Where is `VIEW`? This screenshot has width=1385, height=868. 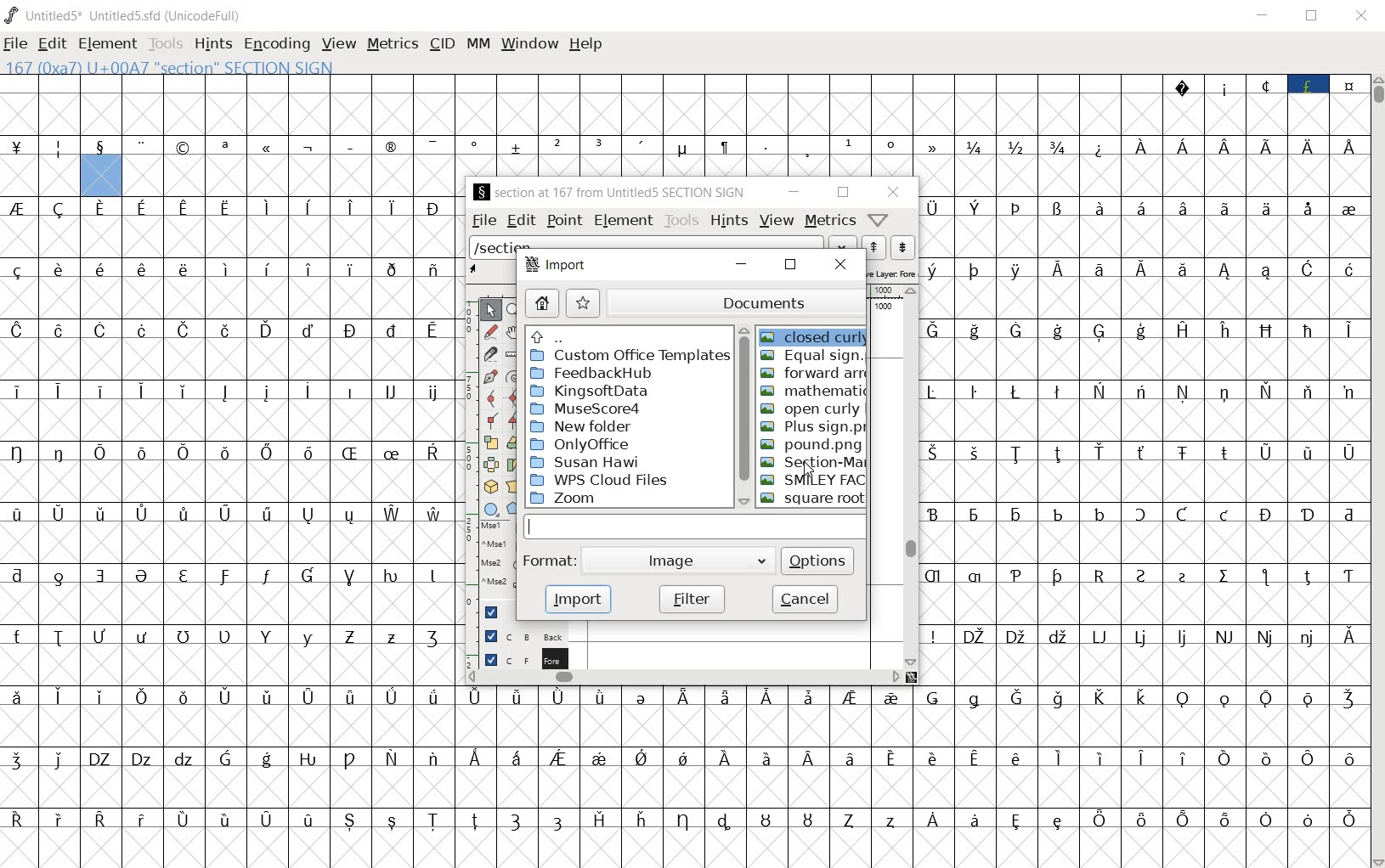 VIEW is located at coordinates (339, 45).